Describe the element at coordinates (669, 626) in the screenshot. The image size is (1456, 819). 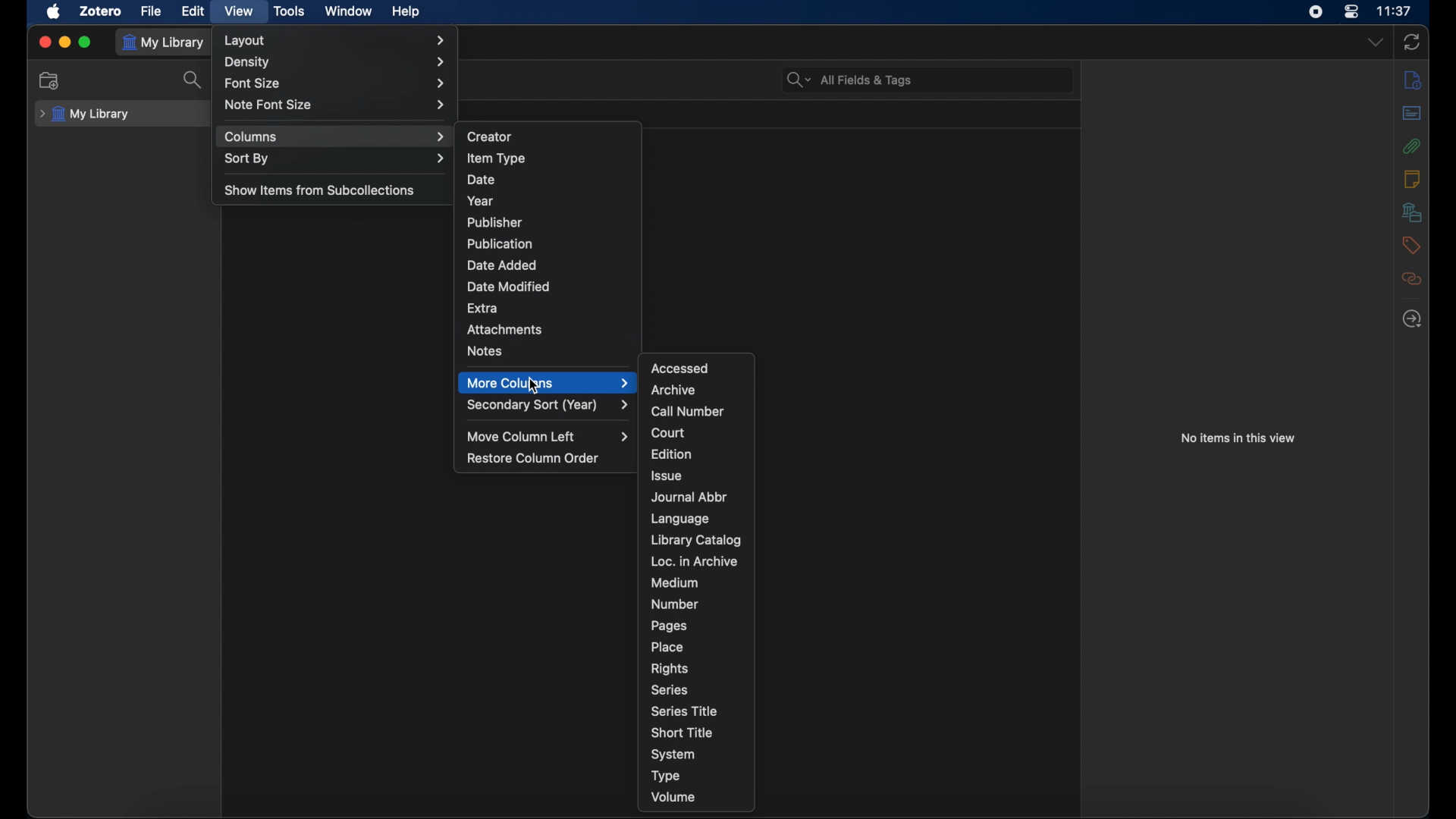
I see `pages` at that location.